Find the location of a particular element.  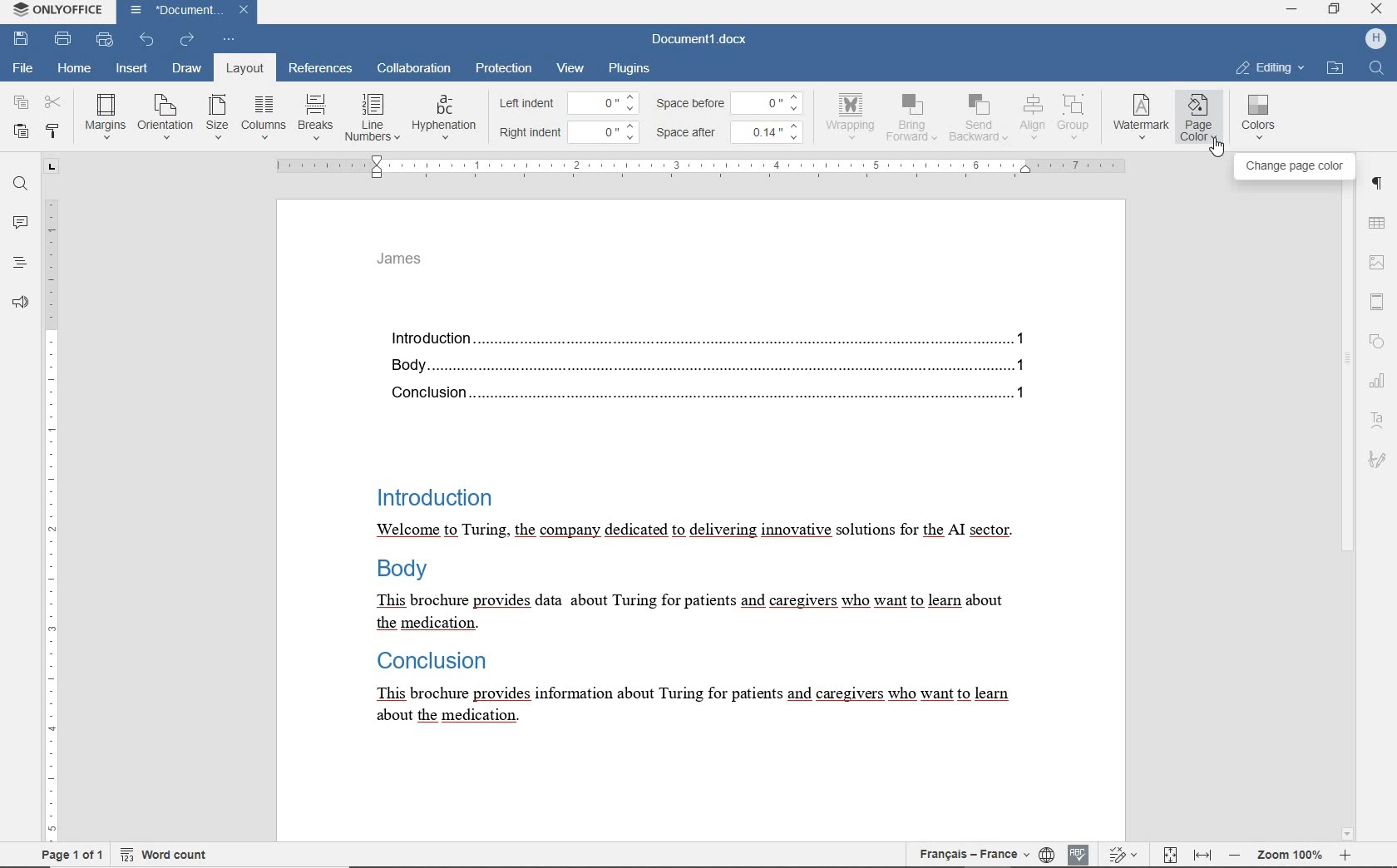

page 1 of 1 is located at coordinates (71, 855).